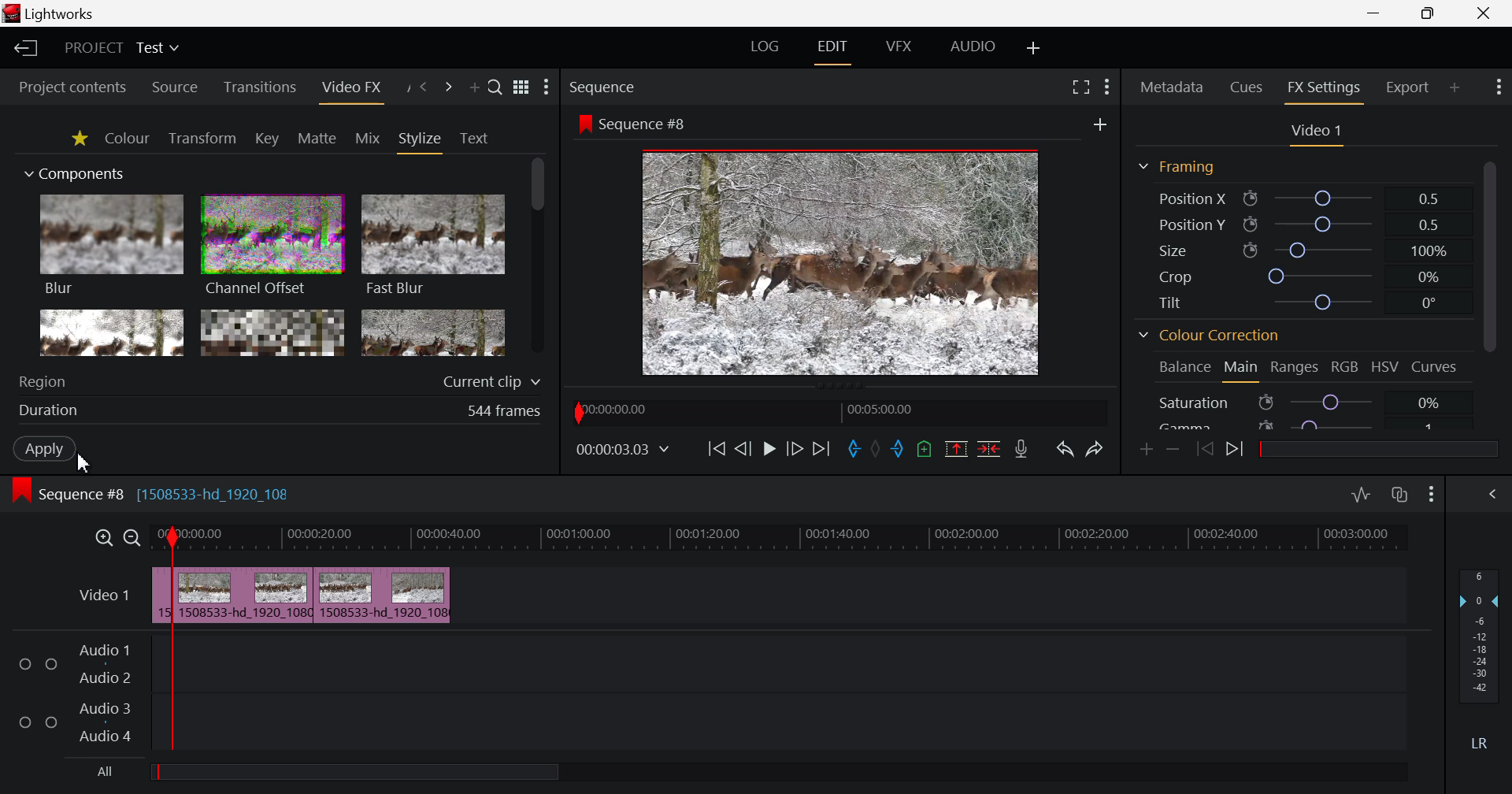  What do you see at coordinates (1455, 86) in the screenshot?
I see `Add Panel` at bounding box center [1455, 86].